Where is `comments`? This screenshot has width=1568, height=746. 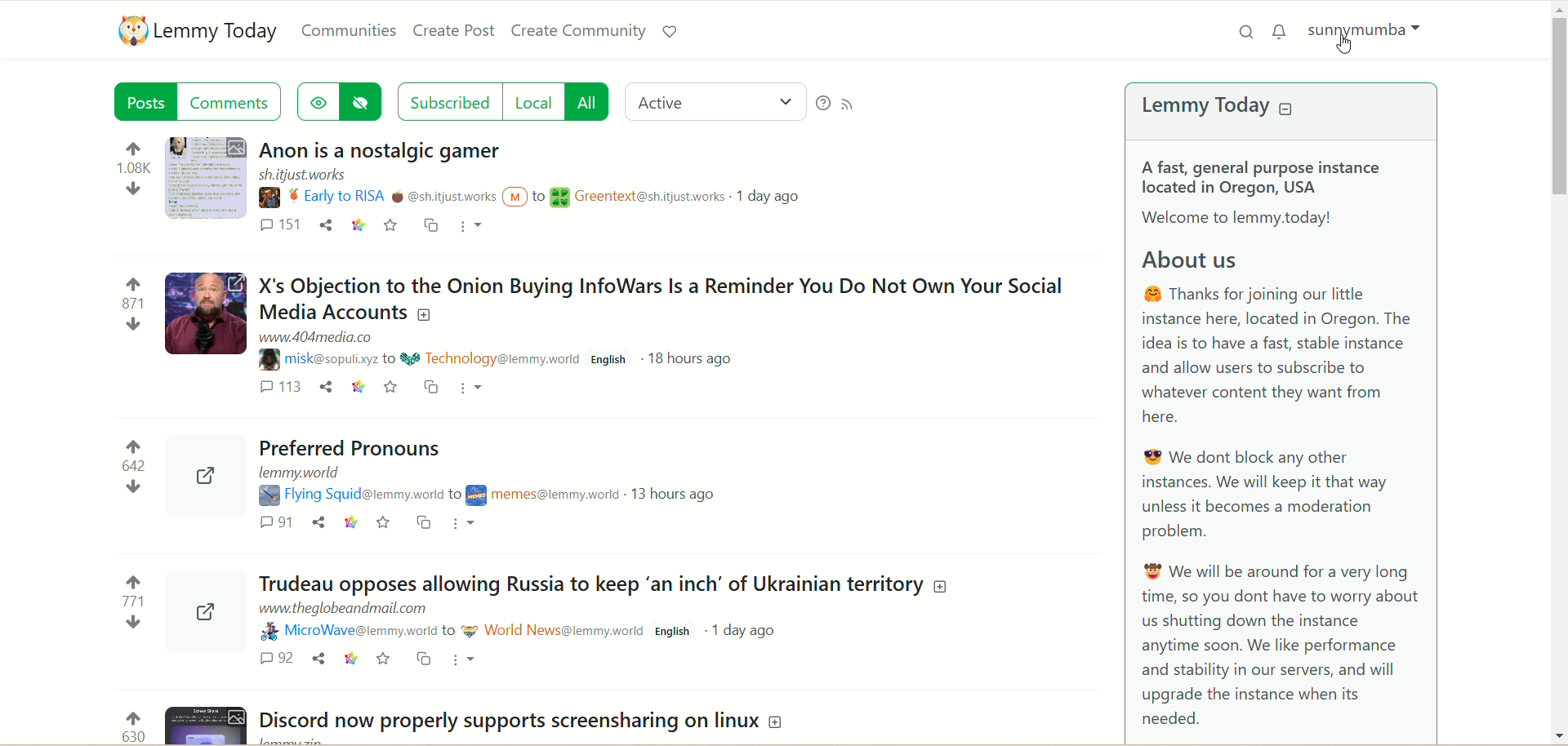 comments is located at coordinates (232, 101).